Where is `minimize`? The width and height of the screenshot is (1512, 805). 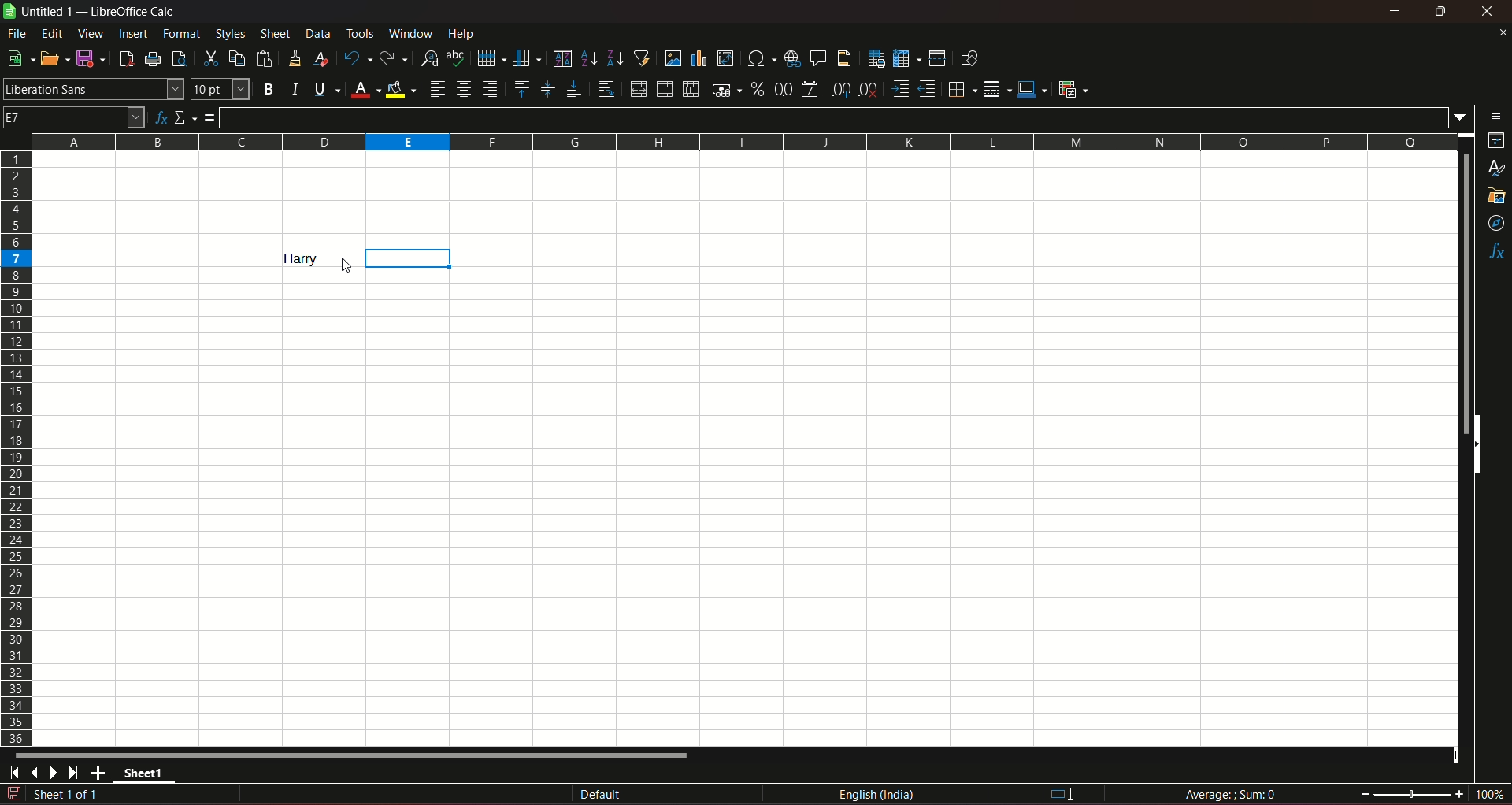 minimize is located at coordinates (1396, 11).